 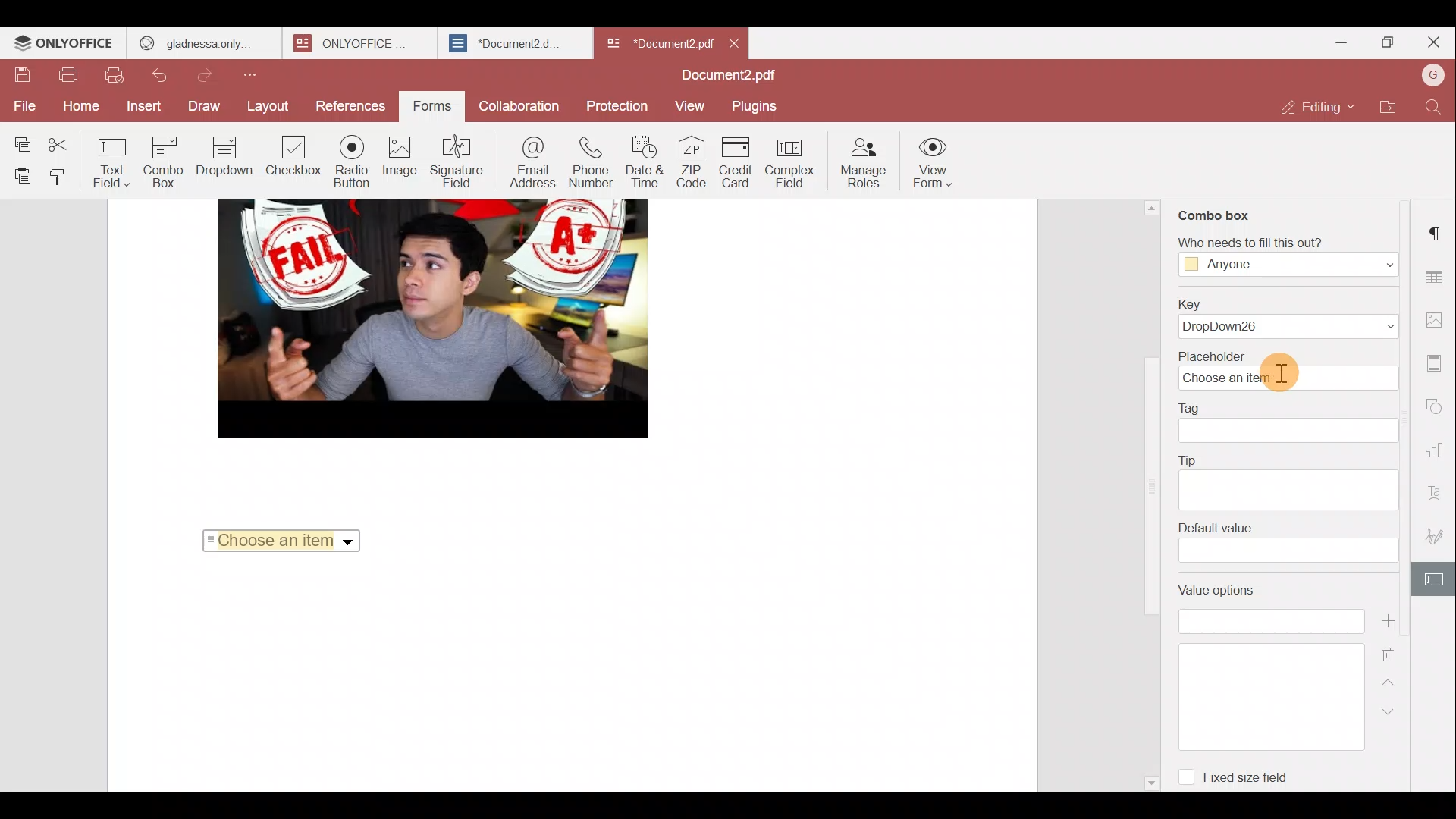 I want to click on *Document2.d., so click(x=505, y=41).